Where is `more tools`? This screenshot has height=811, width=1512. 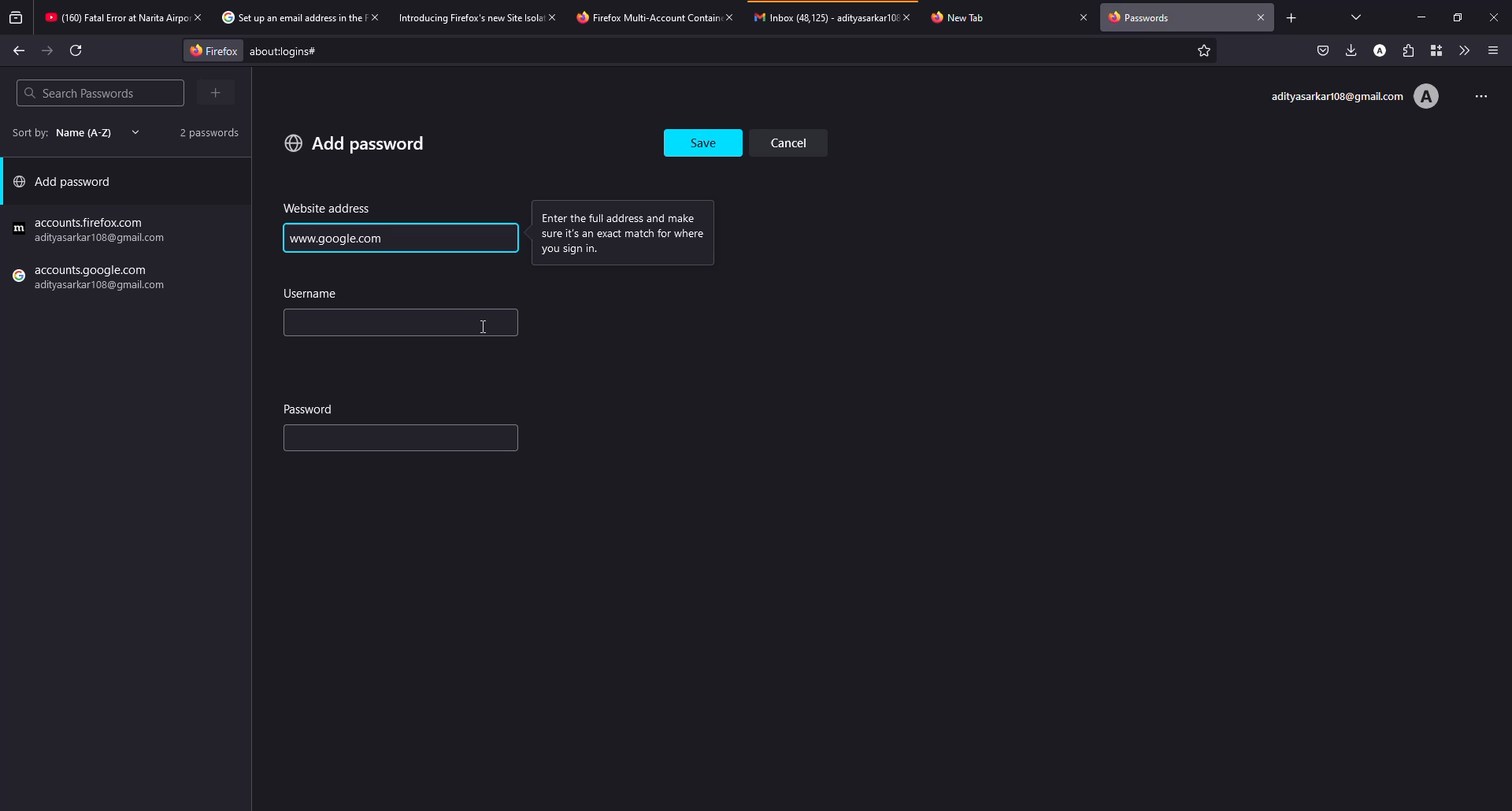 more tools is located at coordinates (1461, 50).